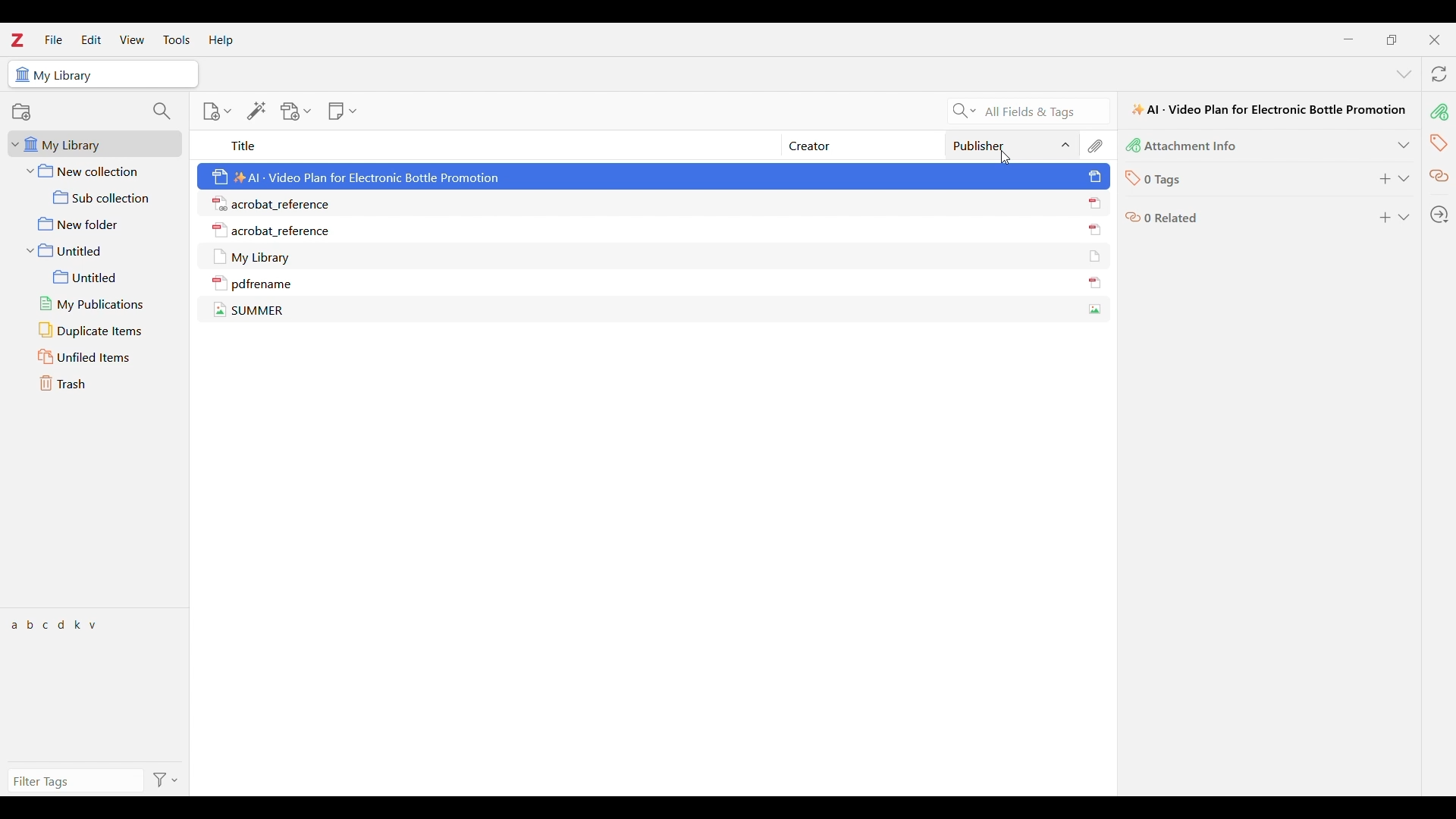 Image resolution: width=1456 pixels, height=819 pixels. Describe the element at coordinates (1166, 180) in the screenshot. I see `0 Tags` at that location.